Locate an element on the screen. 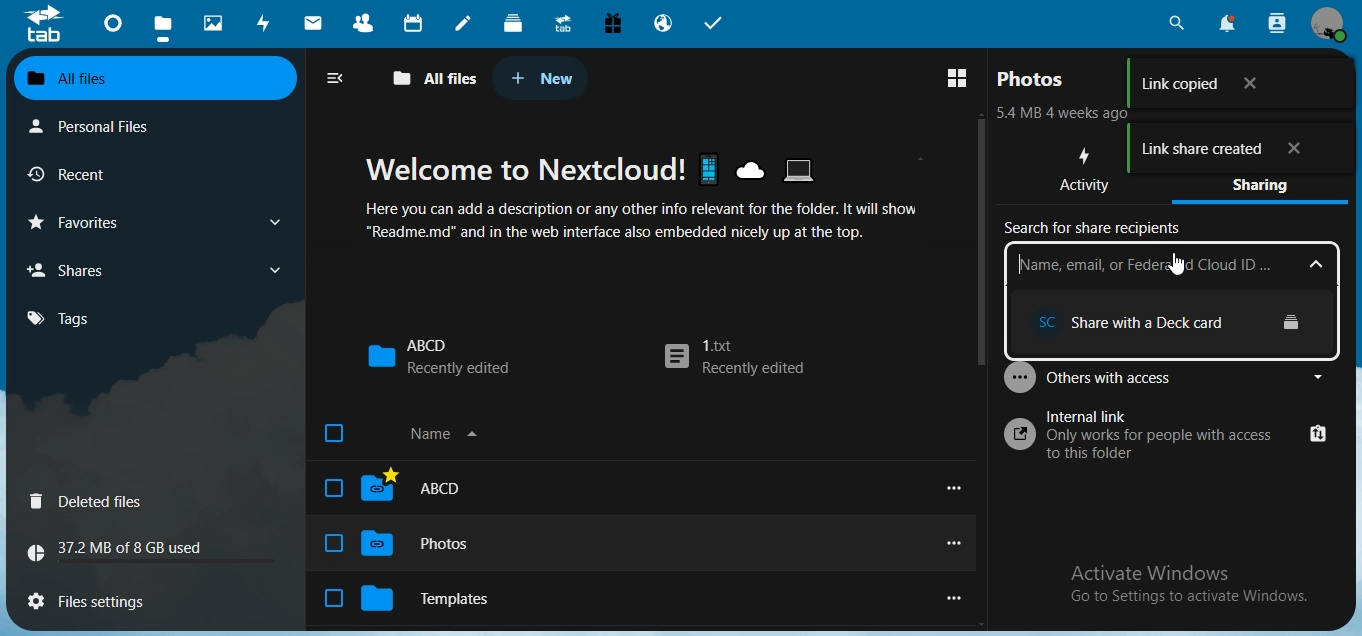 The image size is (1362, 636). photos is located at coordinates (1033, 79).